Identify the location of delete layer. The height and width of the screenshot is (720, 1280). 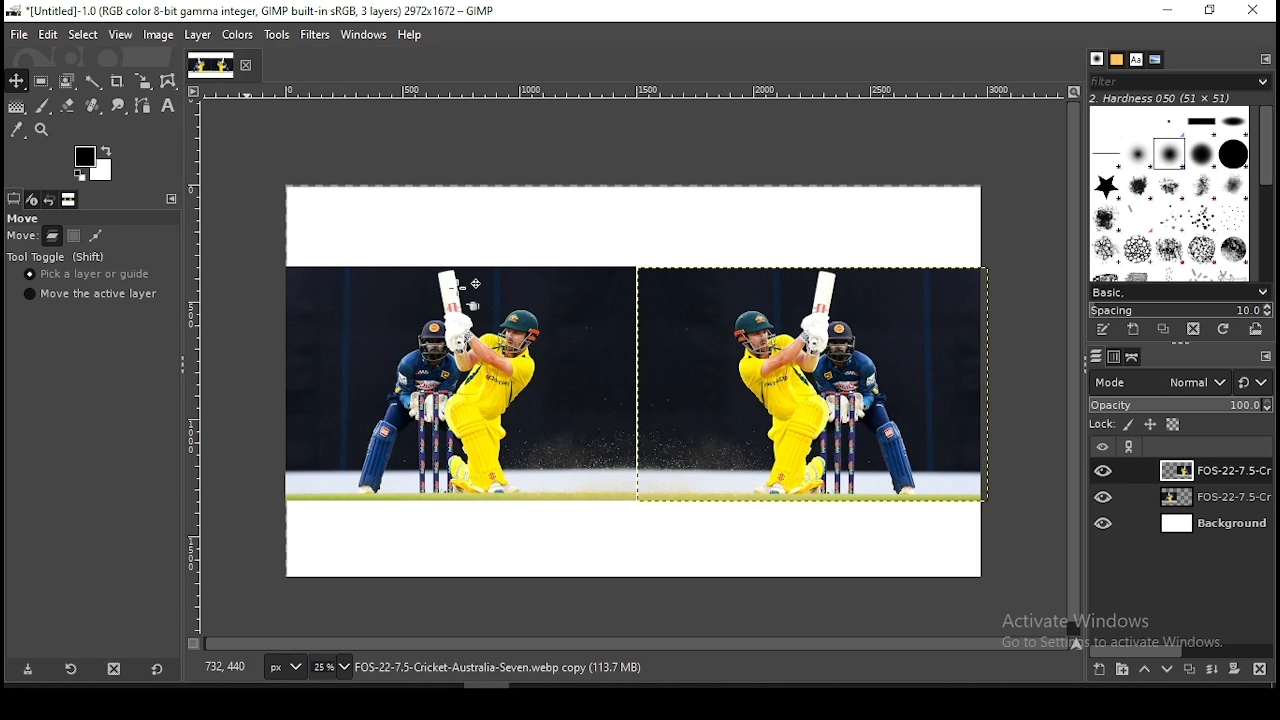
(1260, 669).